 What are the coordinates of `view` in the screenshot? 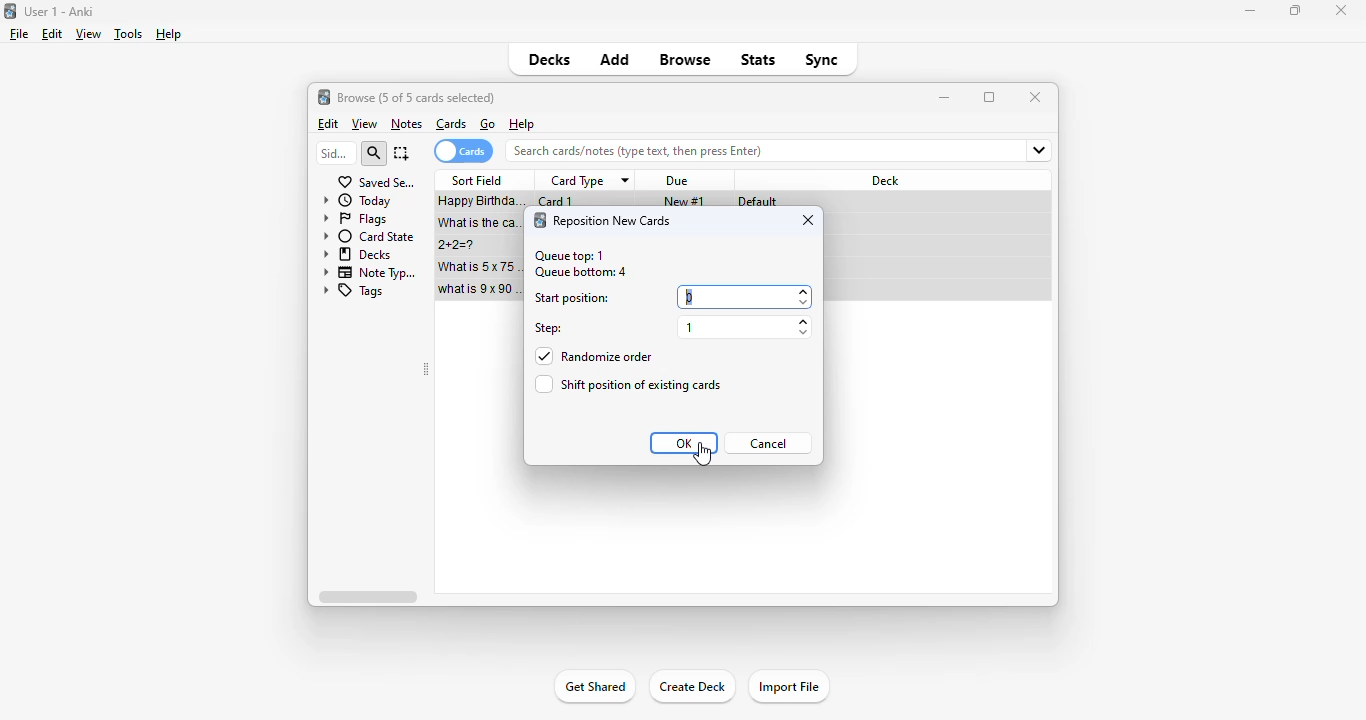 It's located at (89, 34).